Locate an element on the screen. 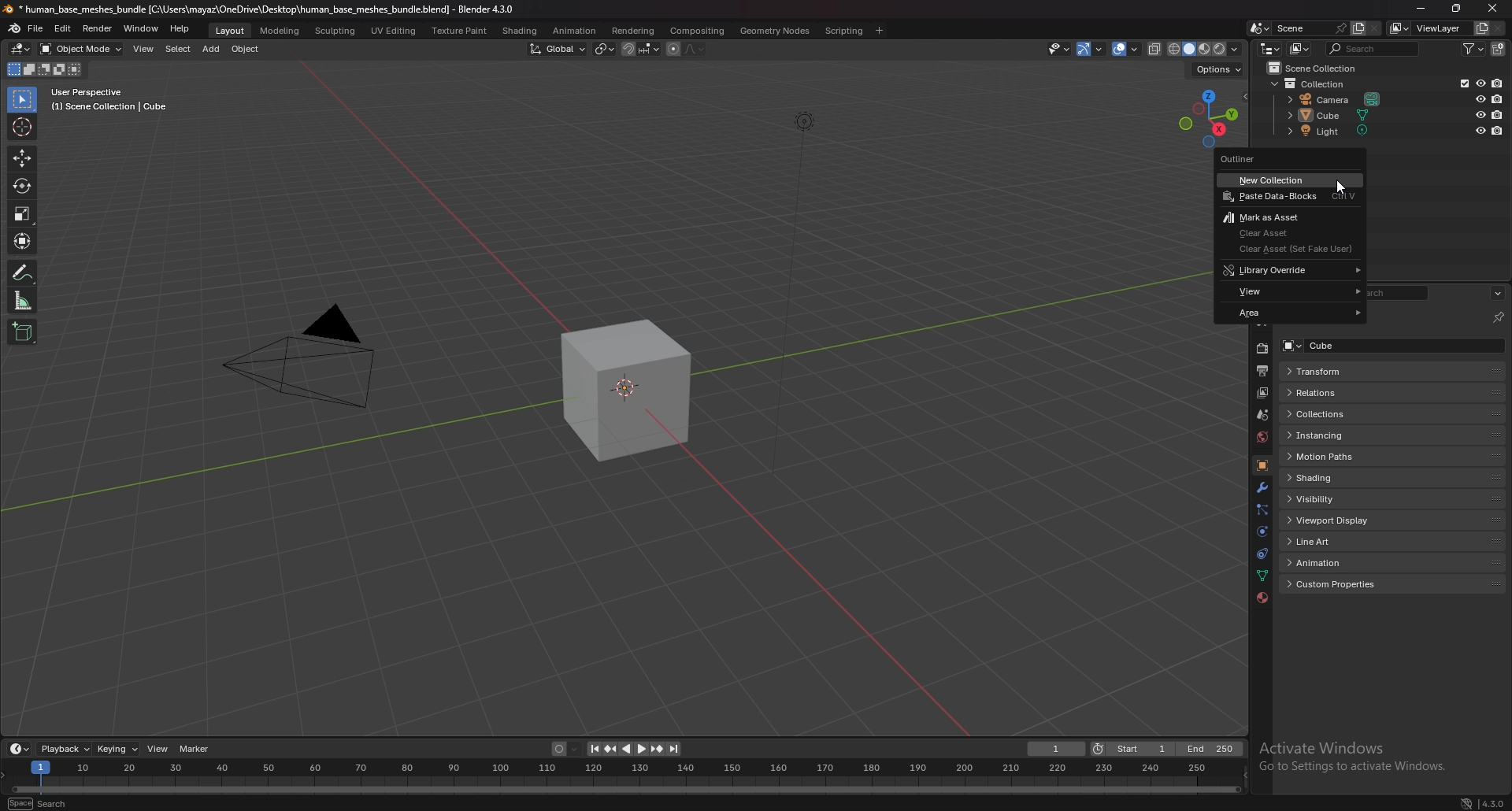  sculpting is located at coordinates (337, 30).